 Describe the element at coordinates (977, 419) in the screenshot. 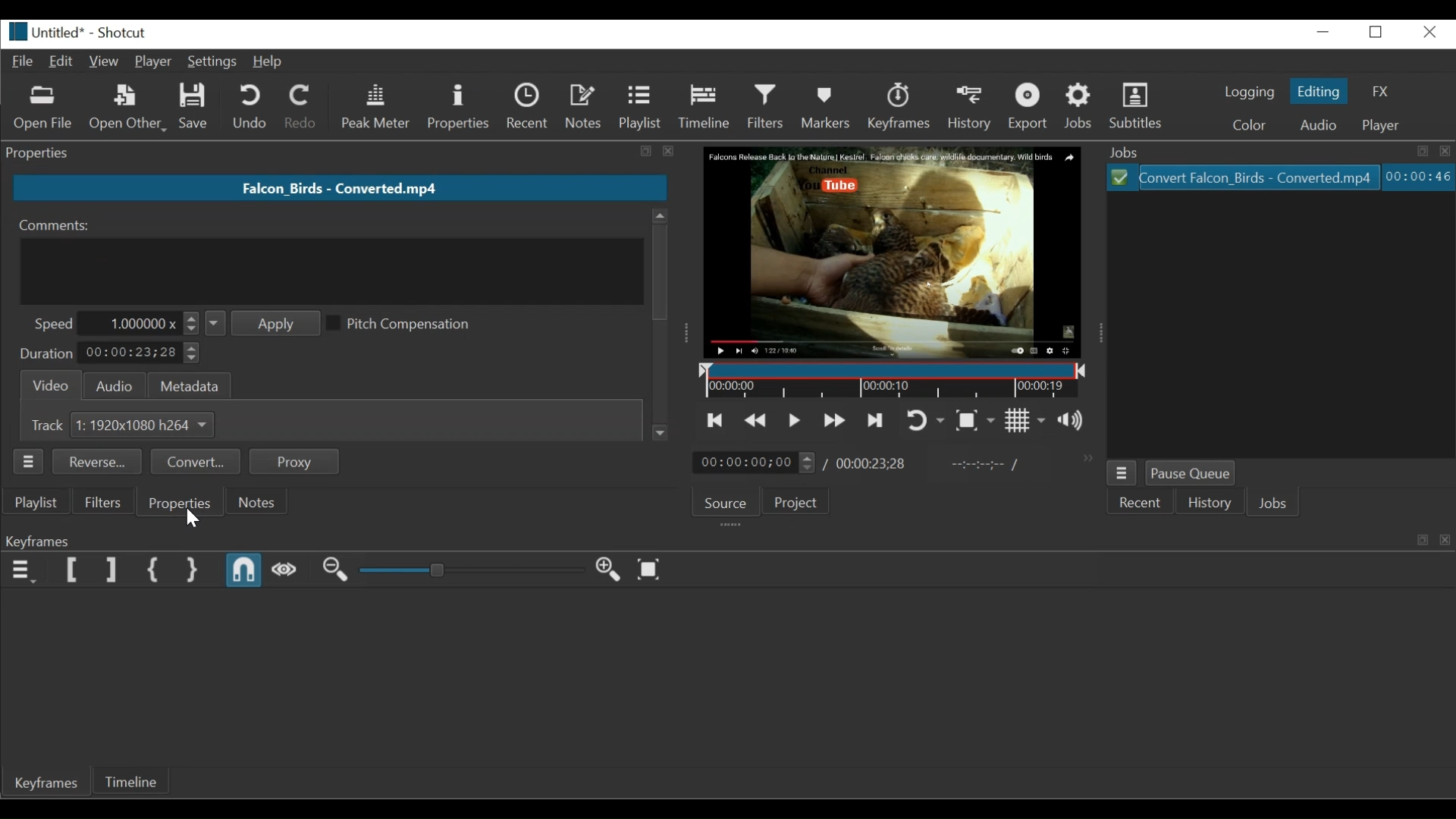

I see `Toggle Zoom` at that location.